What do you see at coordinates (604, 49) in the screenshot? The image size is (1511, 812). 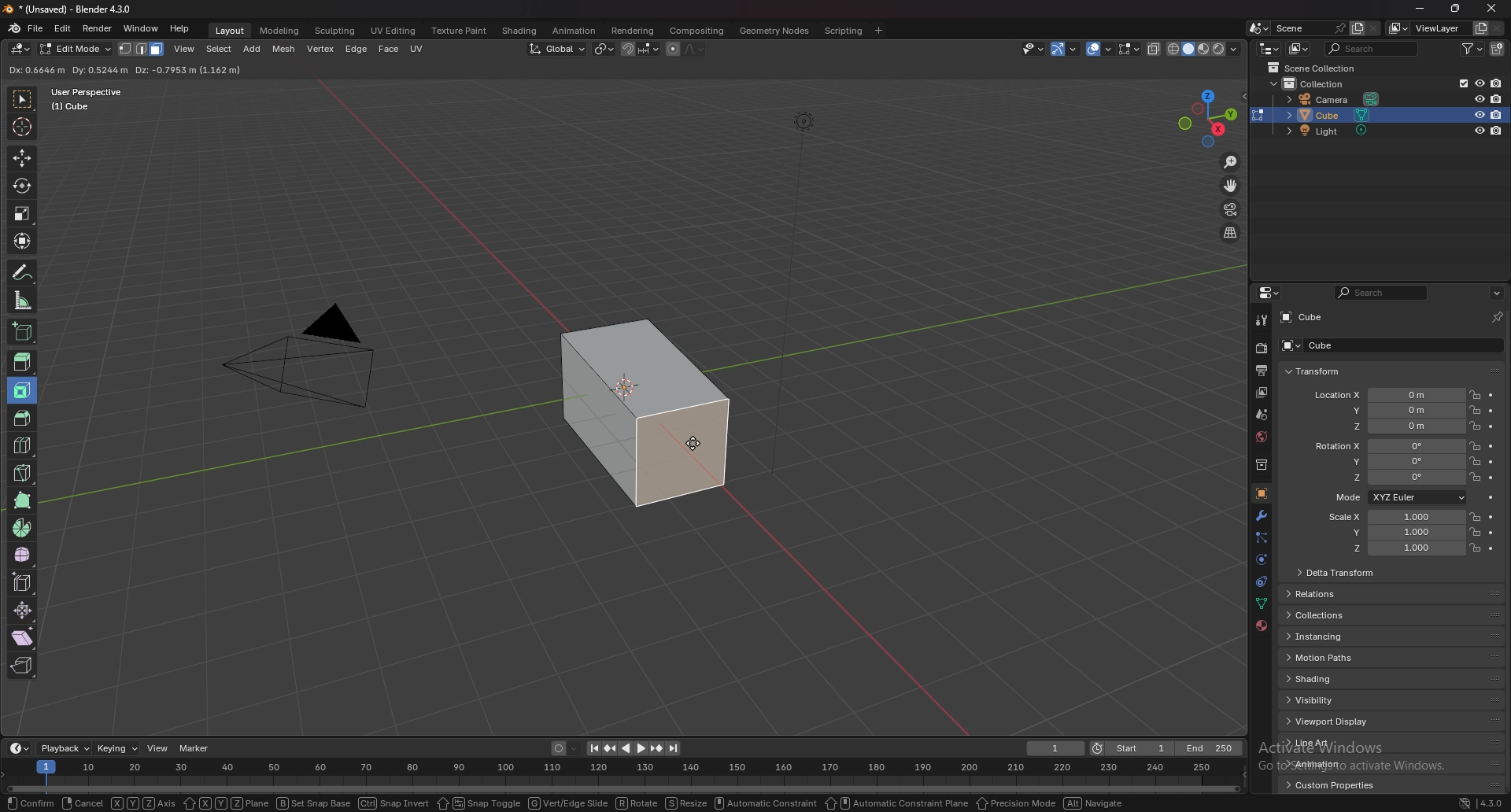 I see `transform pivot point` at bounding box center [604, 49].